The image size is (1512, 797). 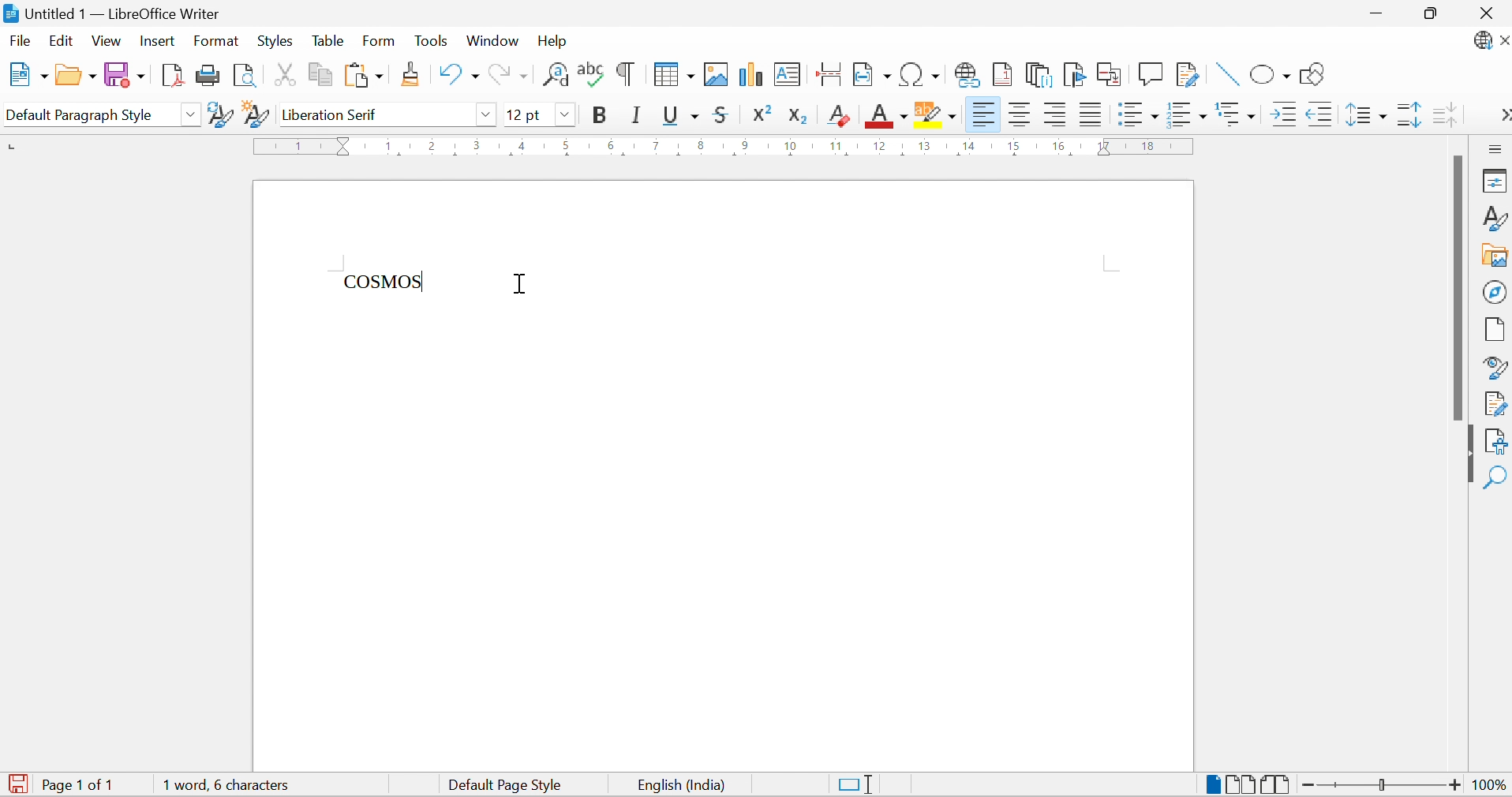 I want to click on Liberation Serif, so click(x=335, y=115).